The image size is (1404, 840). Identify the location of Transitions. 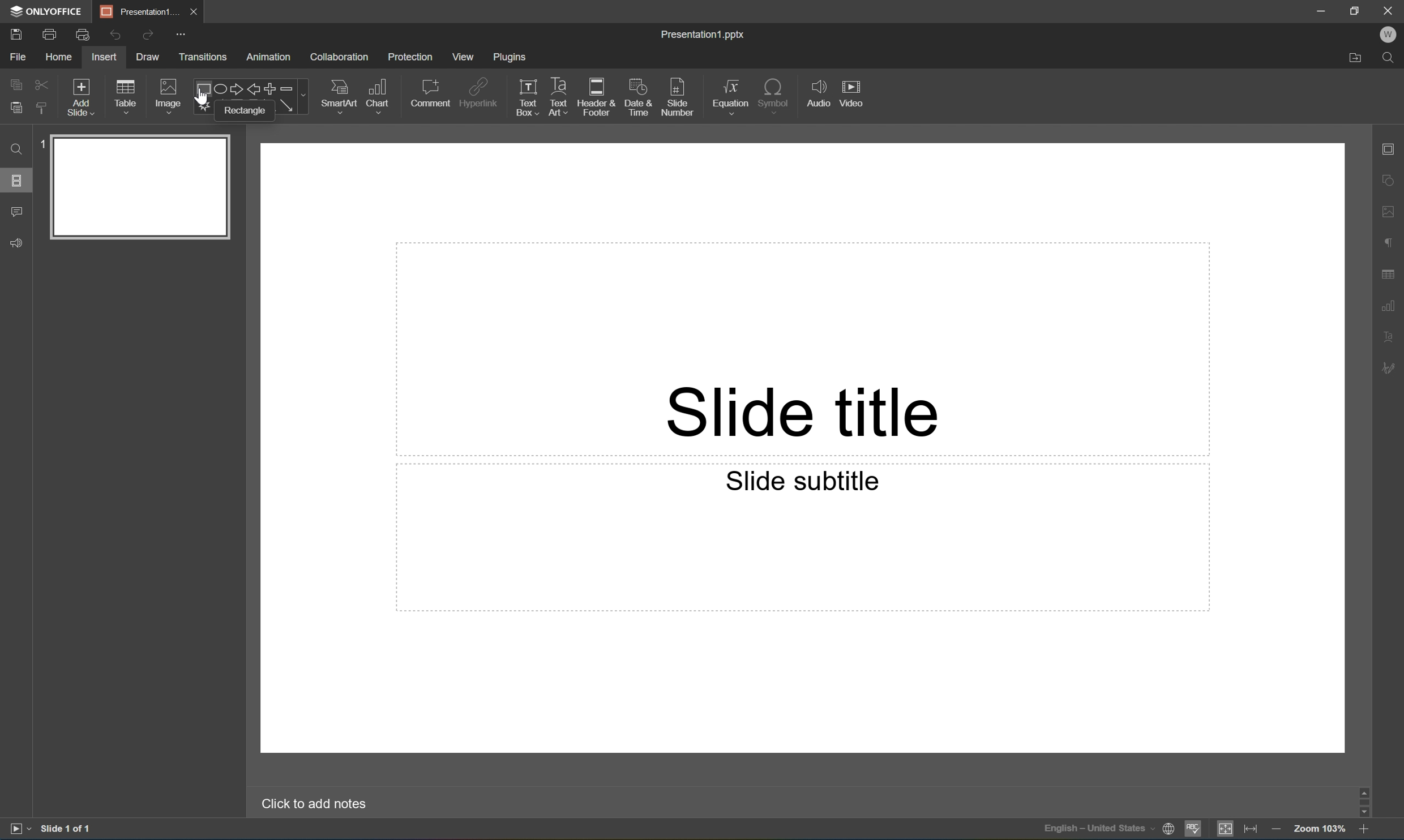
(203, 58).